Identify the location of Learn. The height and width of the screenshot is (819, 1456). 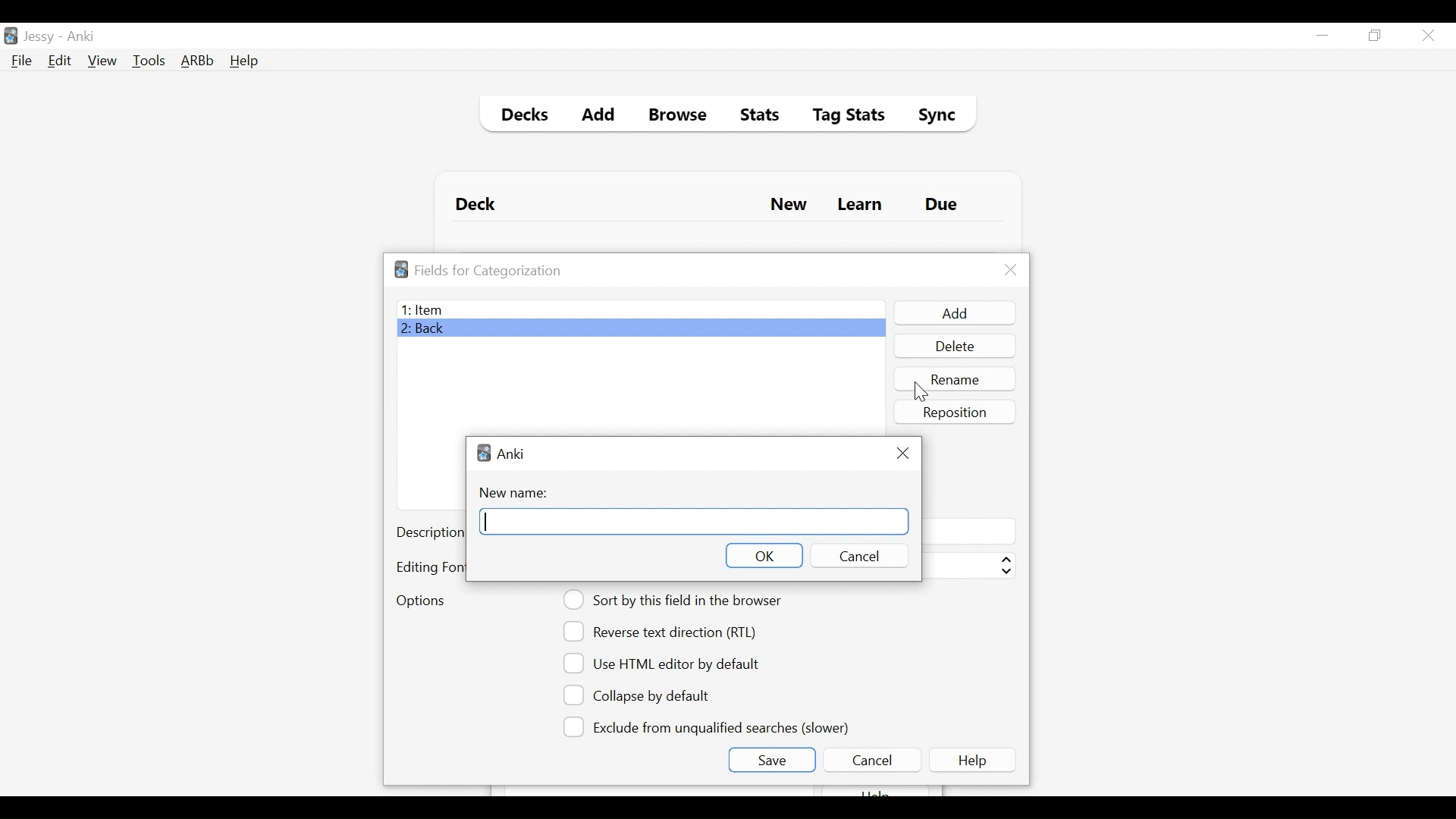
(859, 206).